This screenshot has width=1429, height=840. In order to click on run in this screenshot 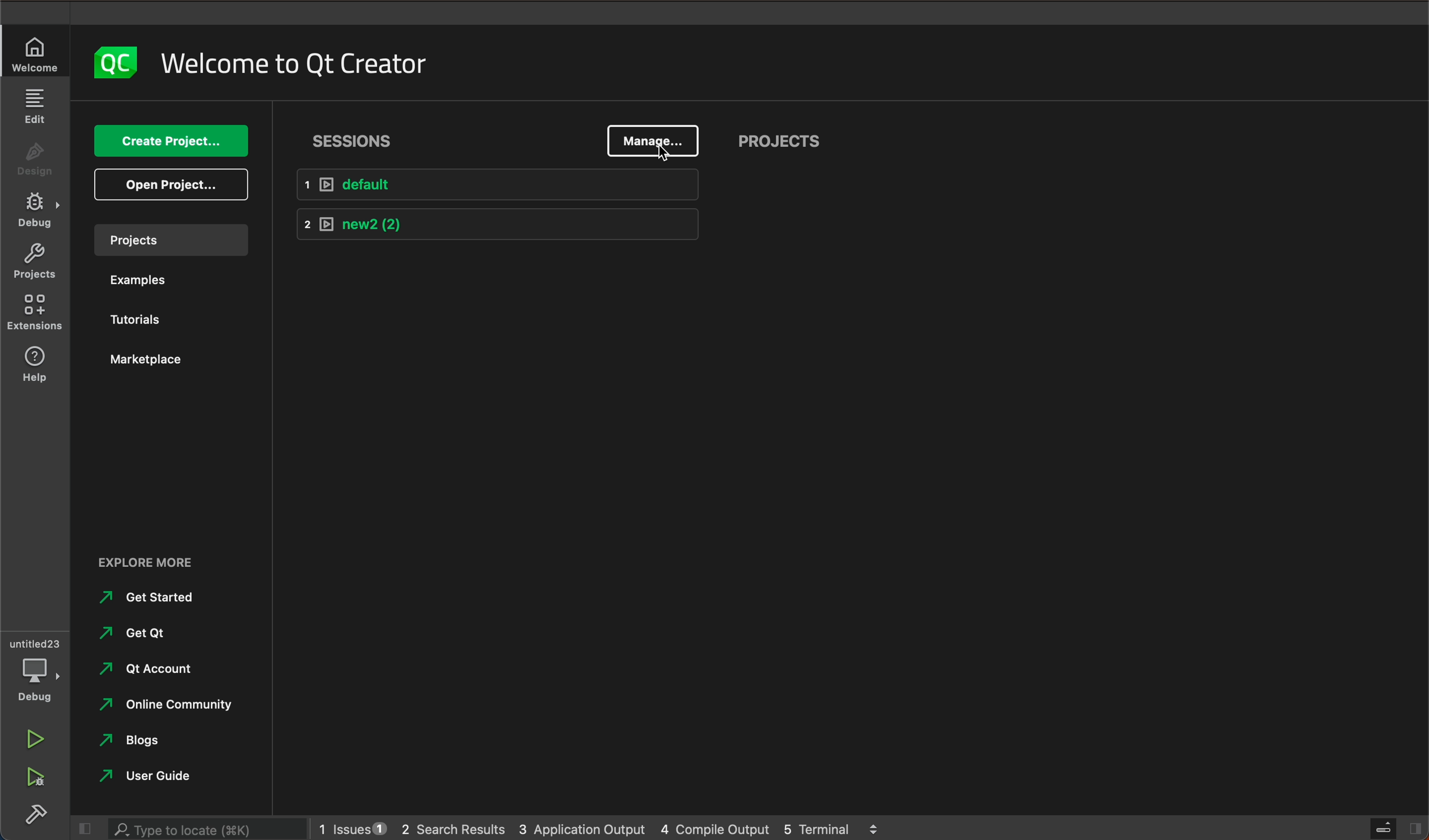, I will do `click(31, 741)`.